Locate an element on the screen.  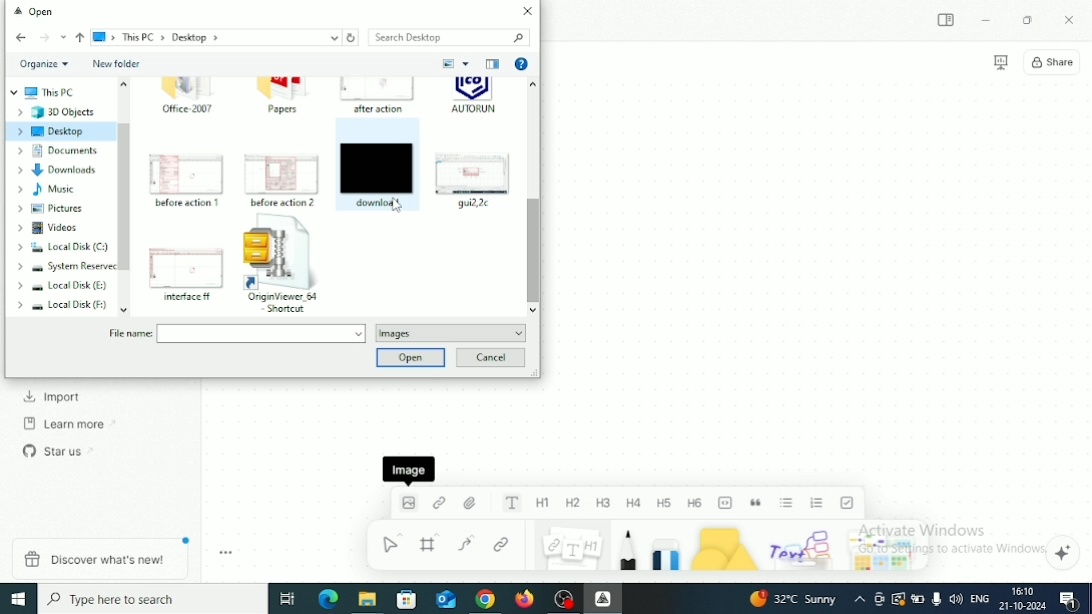
File Explorer is located at coordinates (366, 600).